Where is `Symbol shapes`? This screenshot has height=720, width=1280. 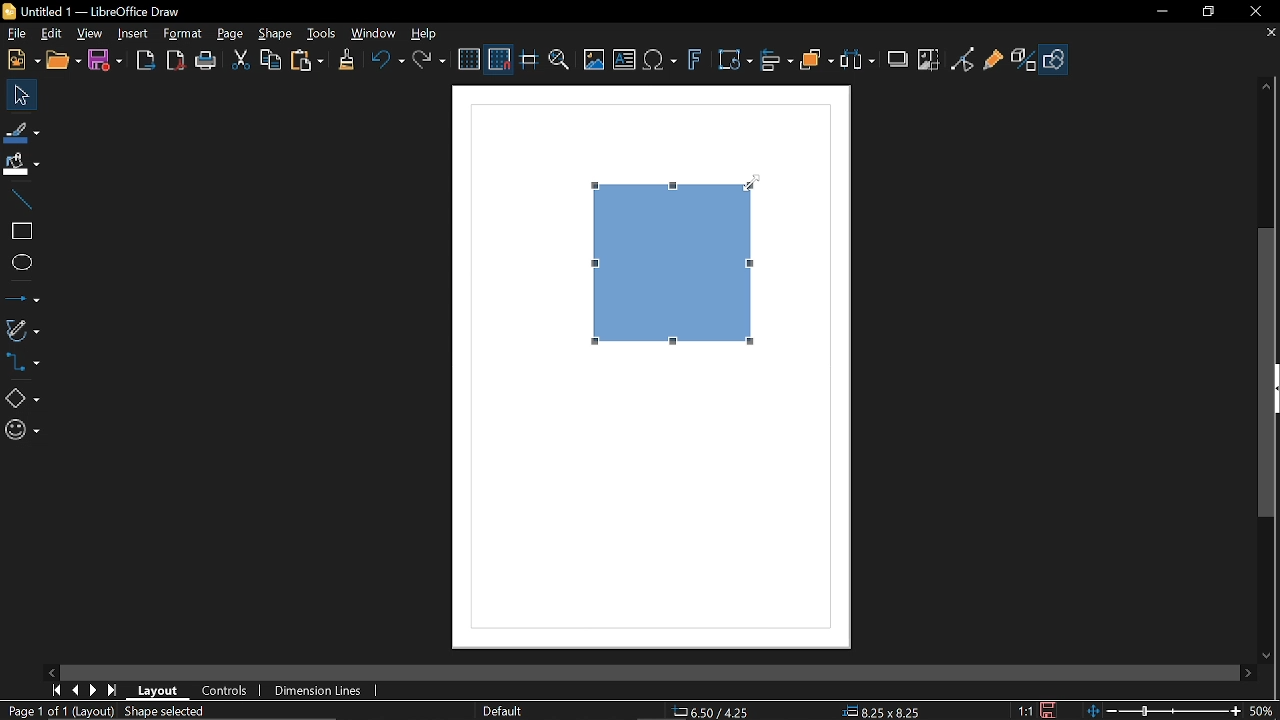
Symbol shapes is located at coordinates (20, 432).